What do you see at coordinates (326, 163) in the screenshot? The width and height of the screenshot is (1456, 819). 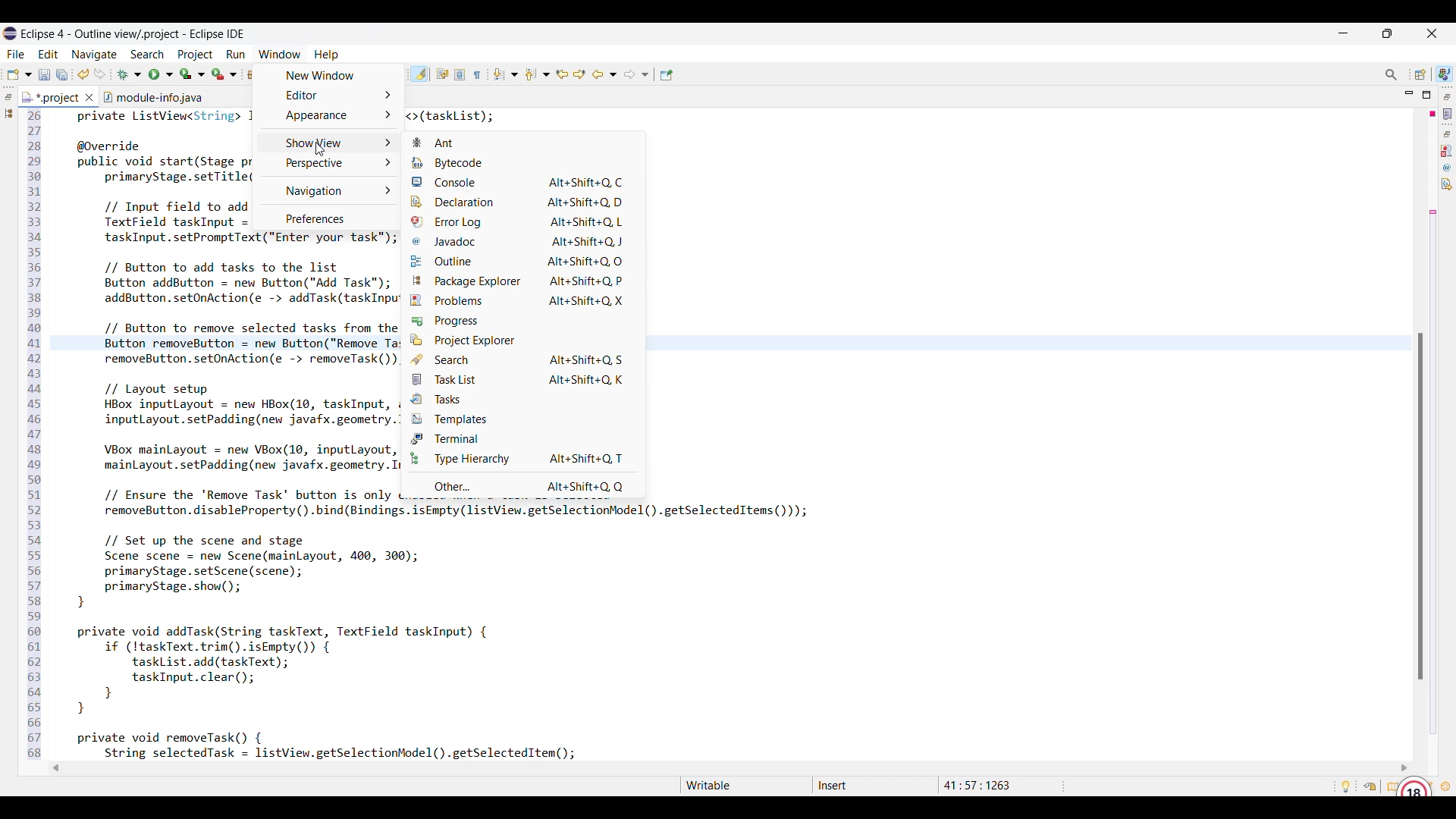 I see `Perspective options` at bounding box center [326, 163].